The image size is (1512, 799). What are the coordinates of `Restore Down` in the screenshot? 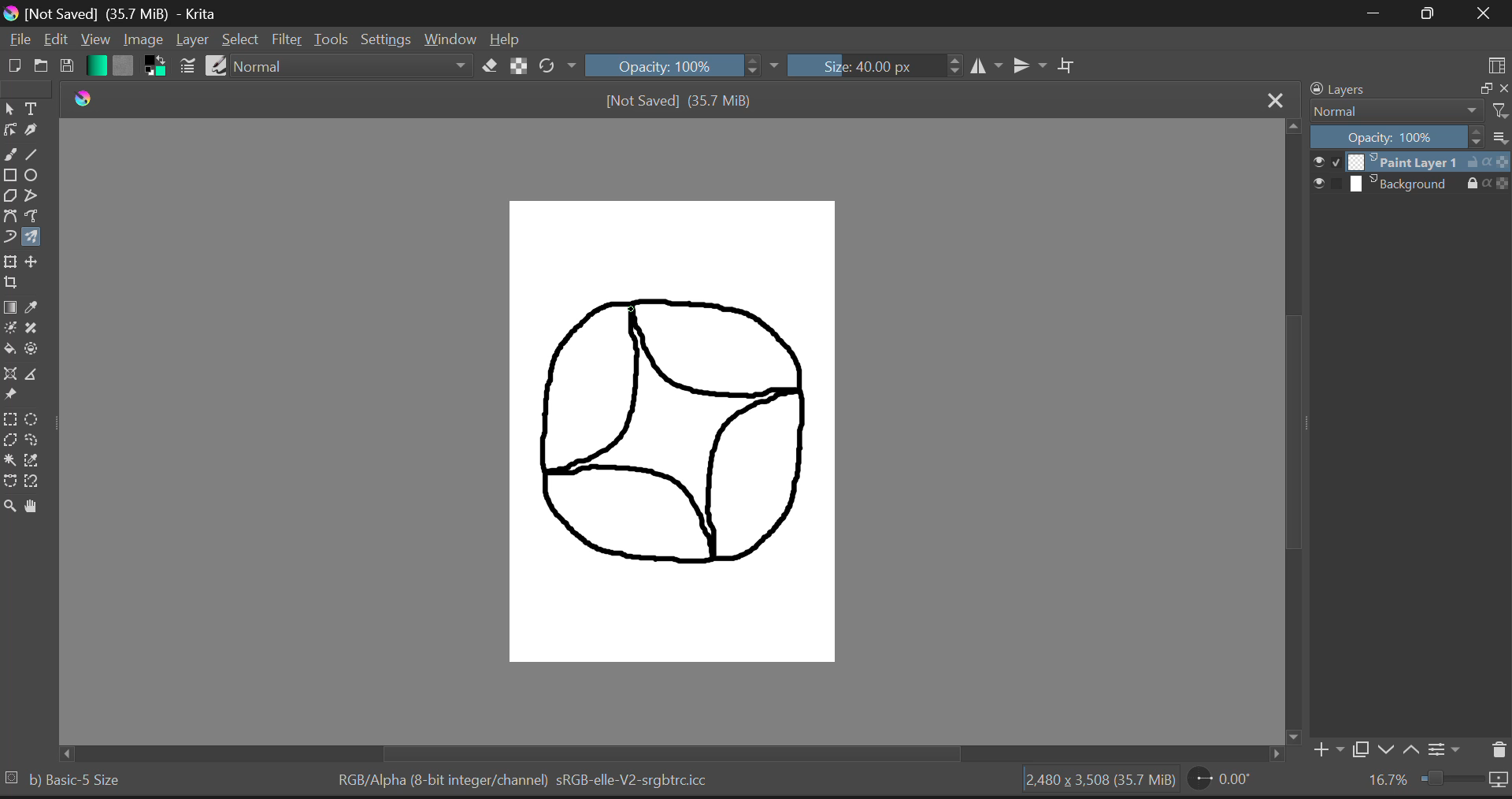 It's located at (1378, 13).